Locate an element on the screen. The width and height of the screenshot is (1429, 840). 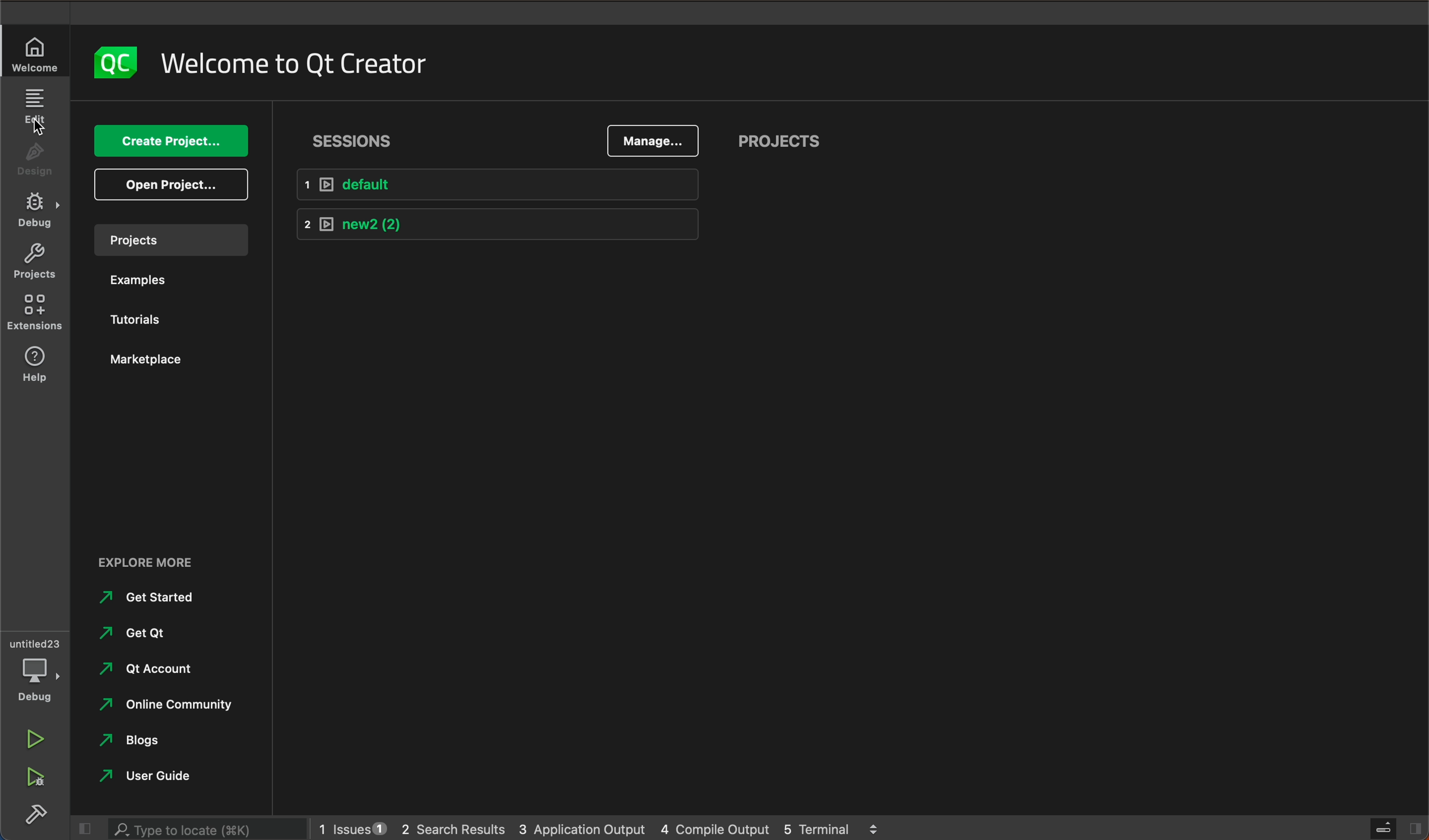
manage is located at coordinates (650, 142).